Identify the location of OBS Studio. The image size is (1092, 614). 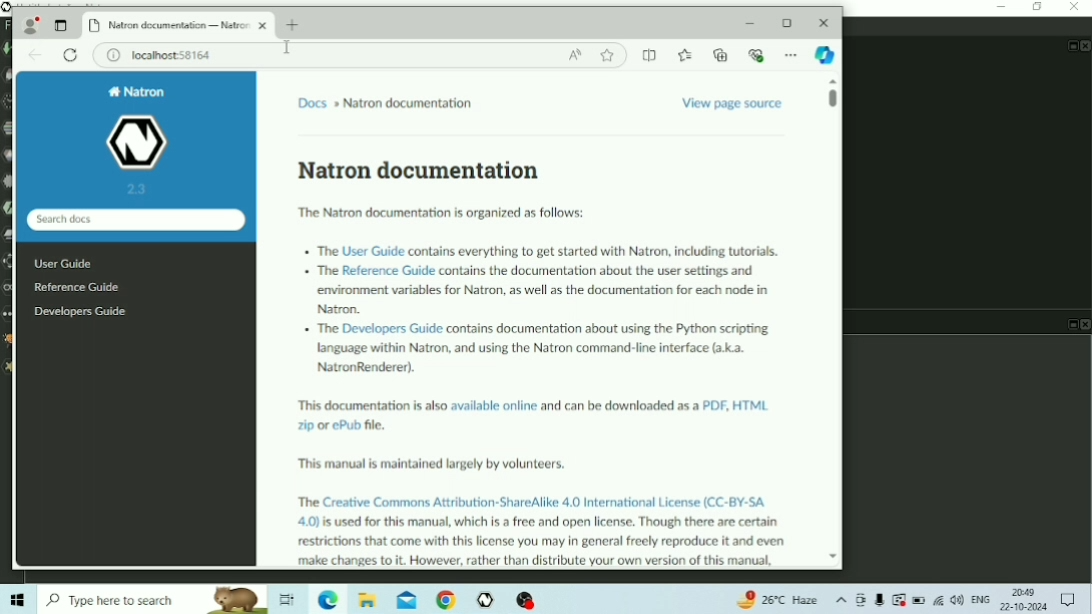
(529, 600).